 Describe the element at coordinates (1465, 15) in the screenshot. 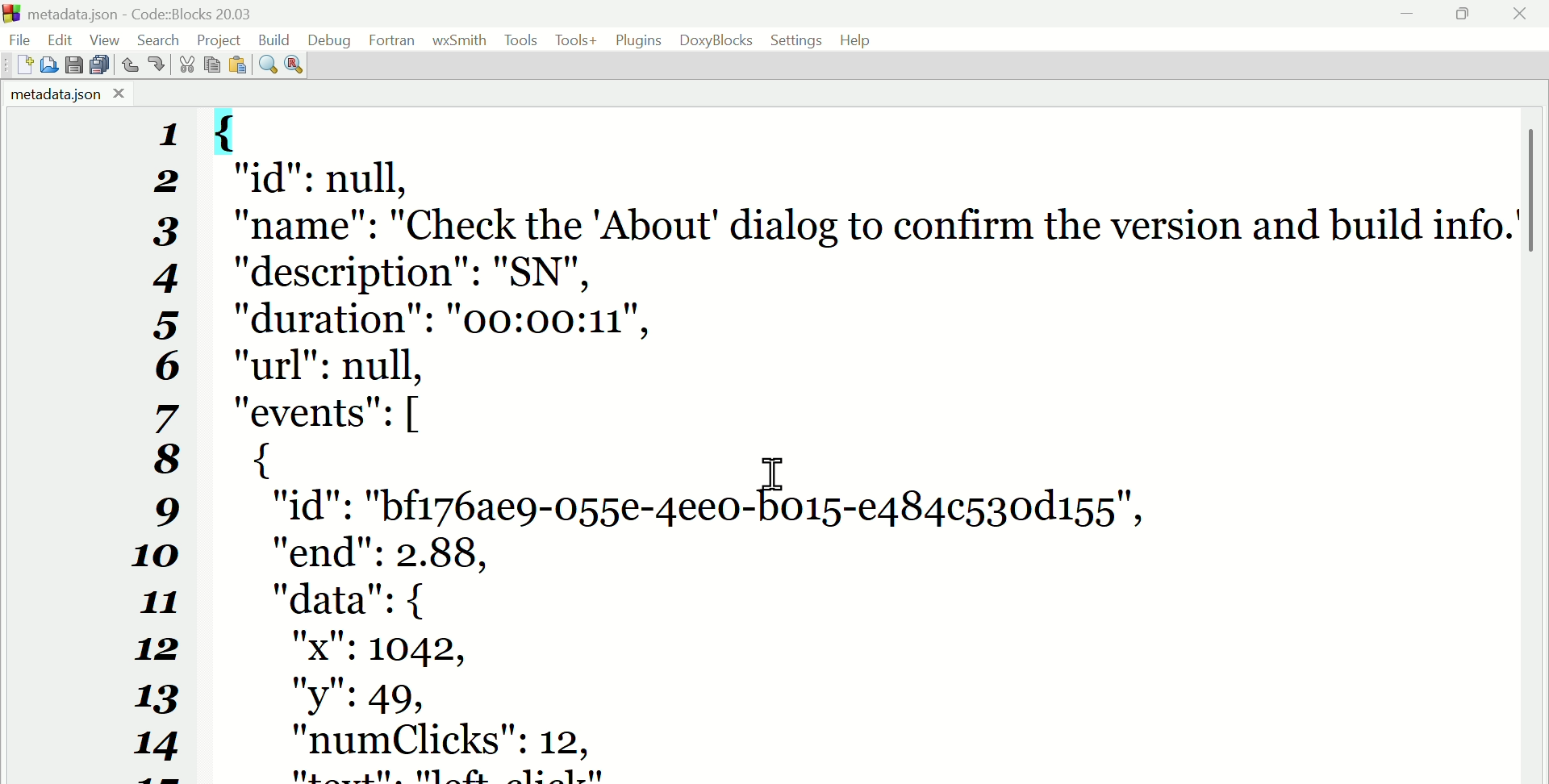

I see `Maximise` at that location.